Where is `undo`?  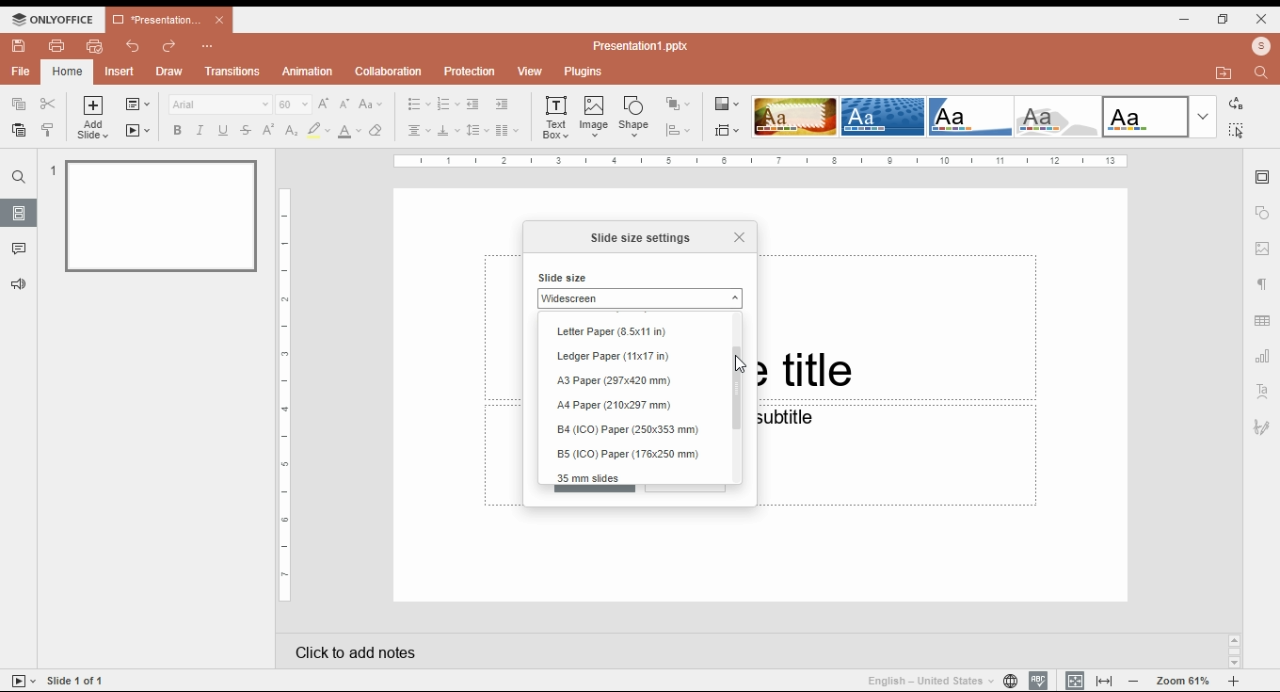 undo is located at coordinates (134, 46).